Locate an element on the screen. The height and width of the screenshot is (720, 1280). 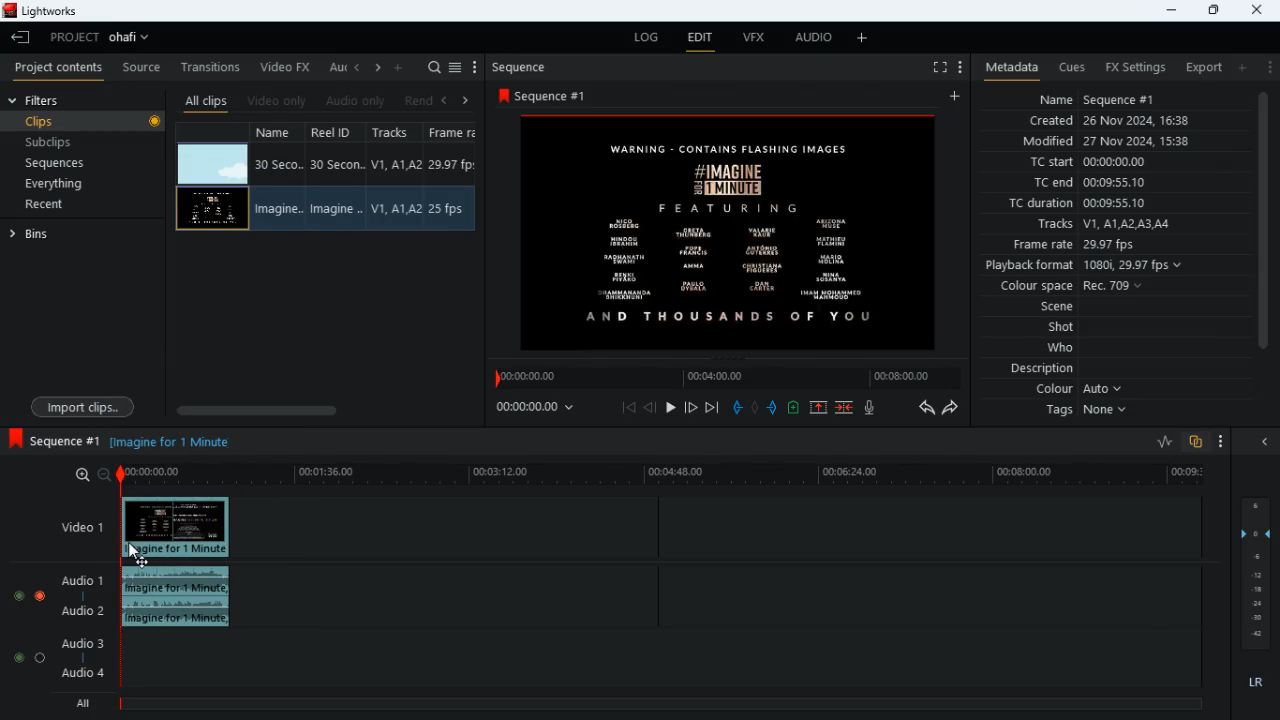
reel id is located at coordinates (337, 178).